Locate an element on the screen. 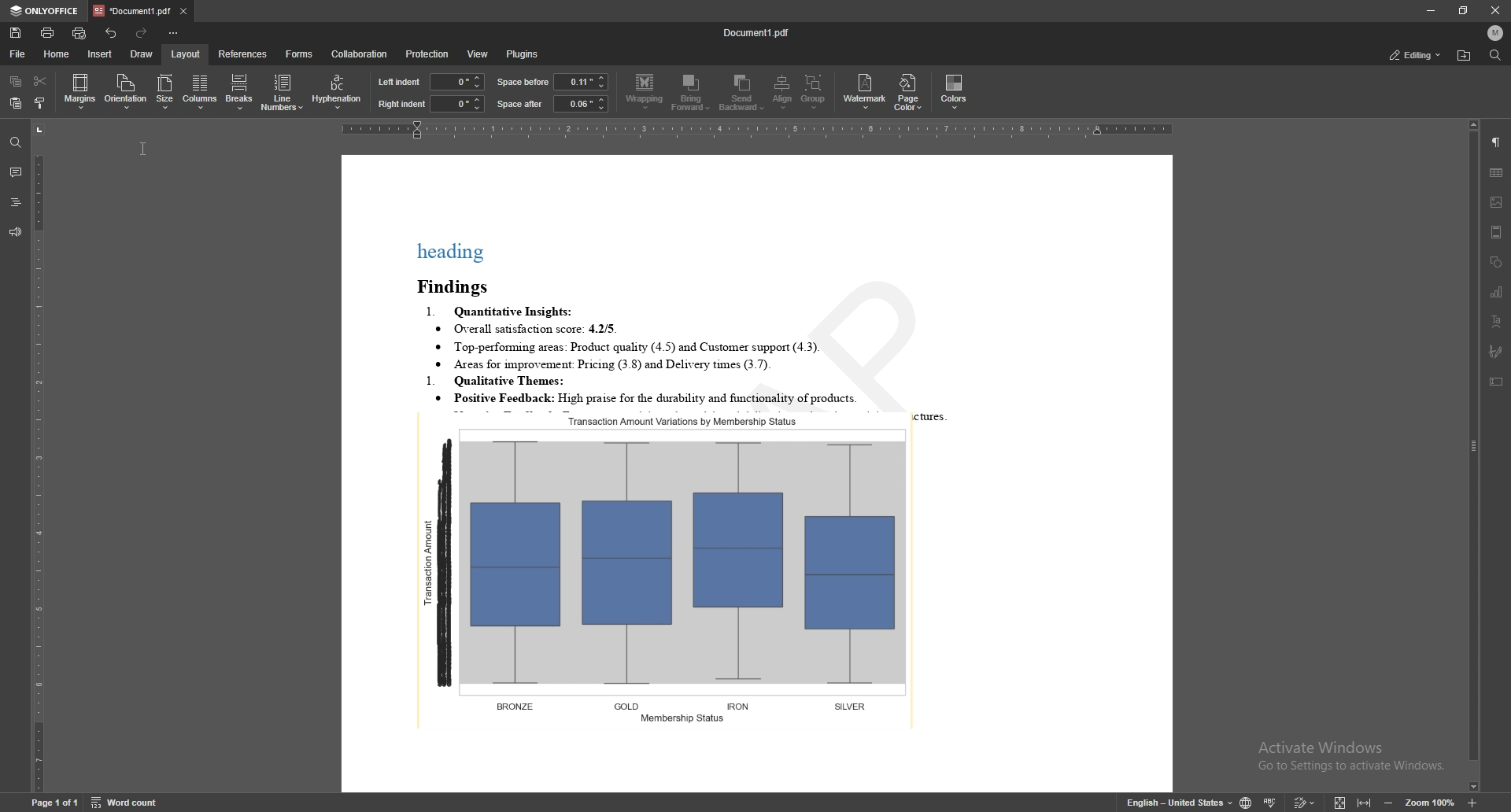  shapes is located at coordinates (1496, 262).